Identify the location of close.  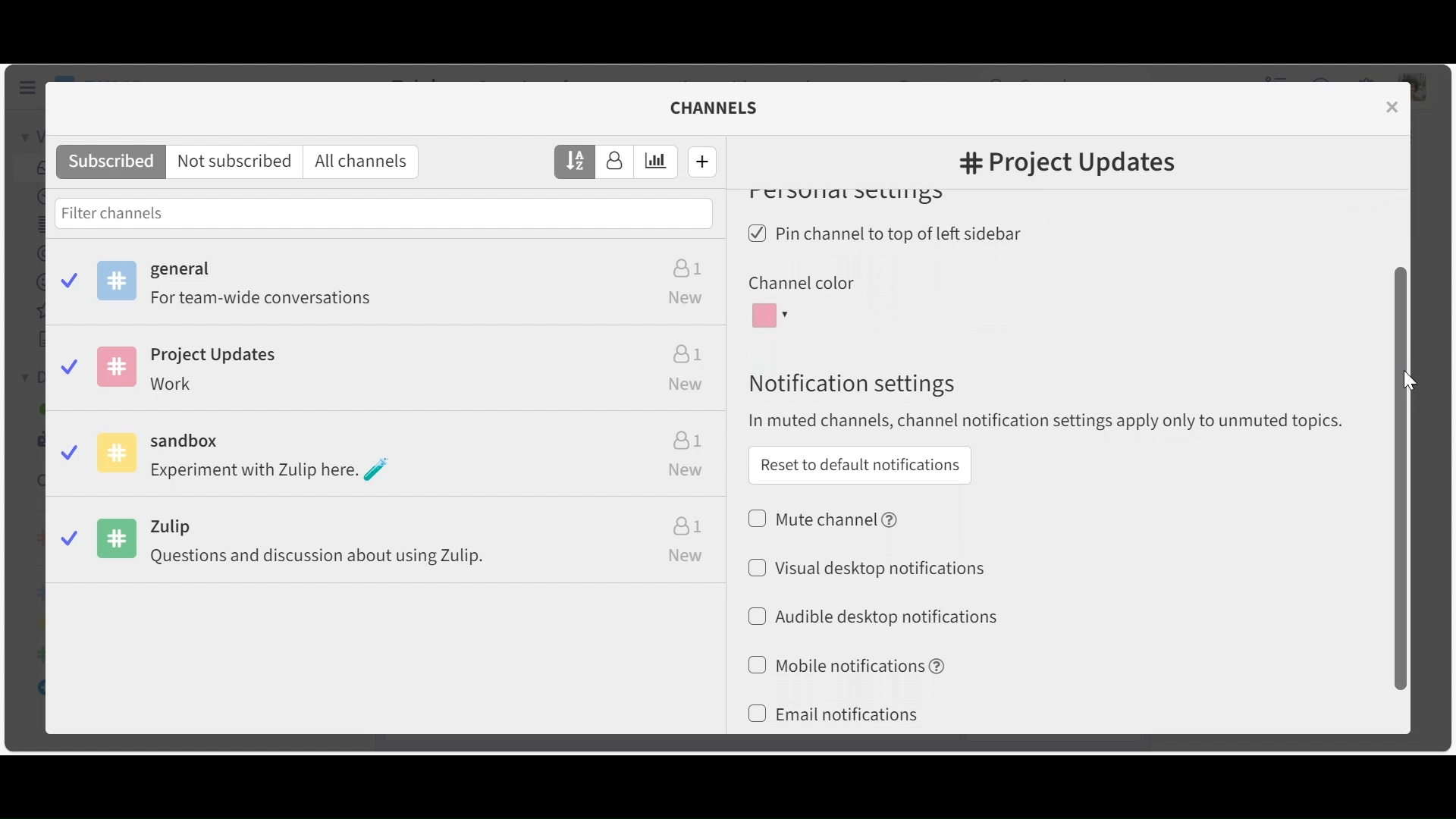
(1395, 106).